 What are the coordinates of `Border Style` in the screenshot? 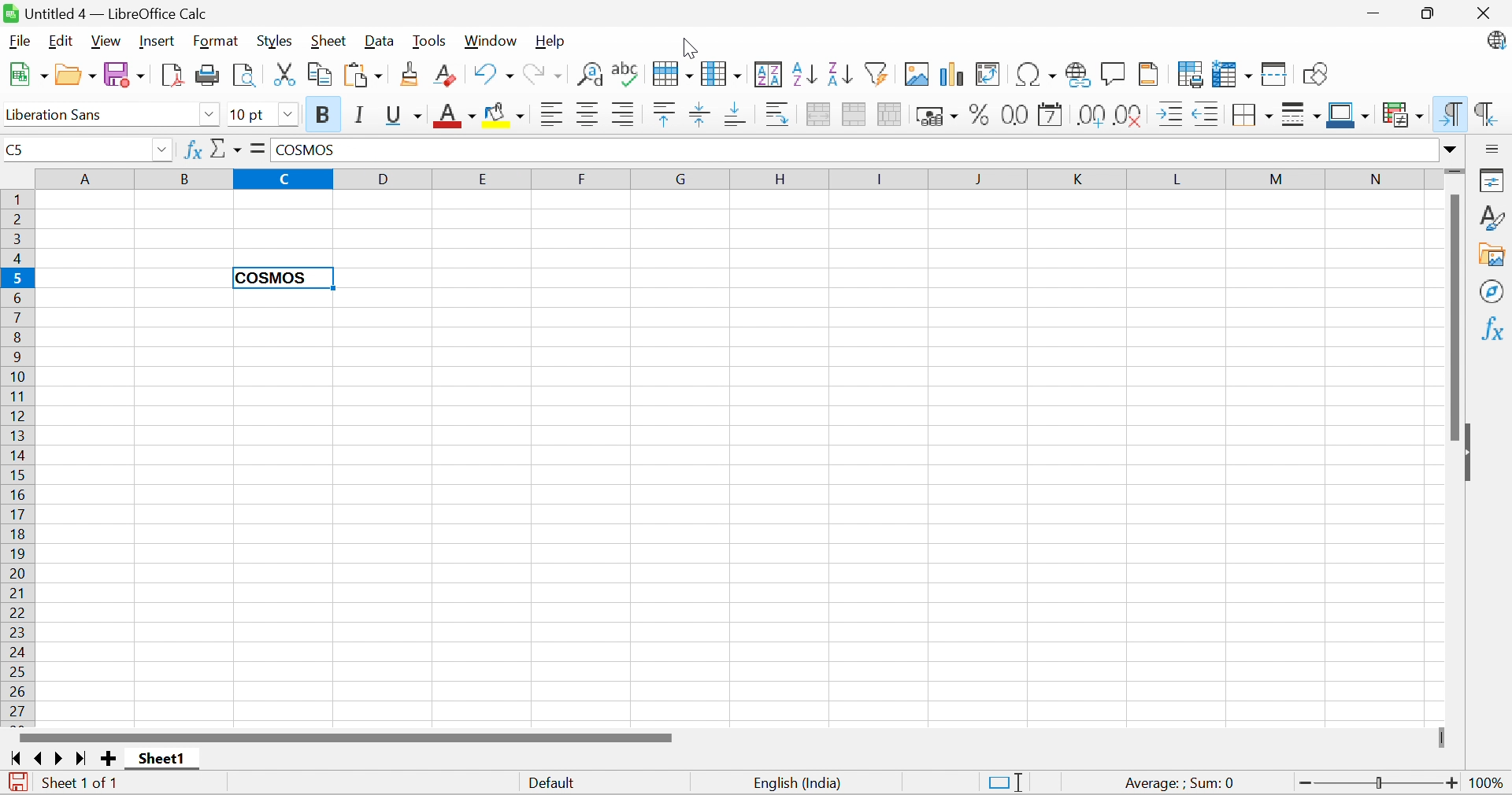 It's located at (1302, 115).